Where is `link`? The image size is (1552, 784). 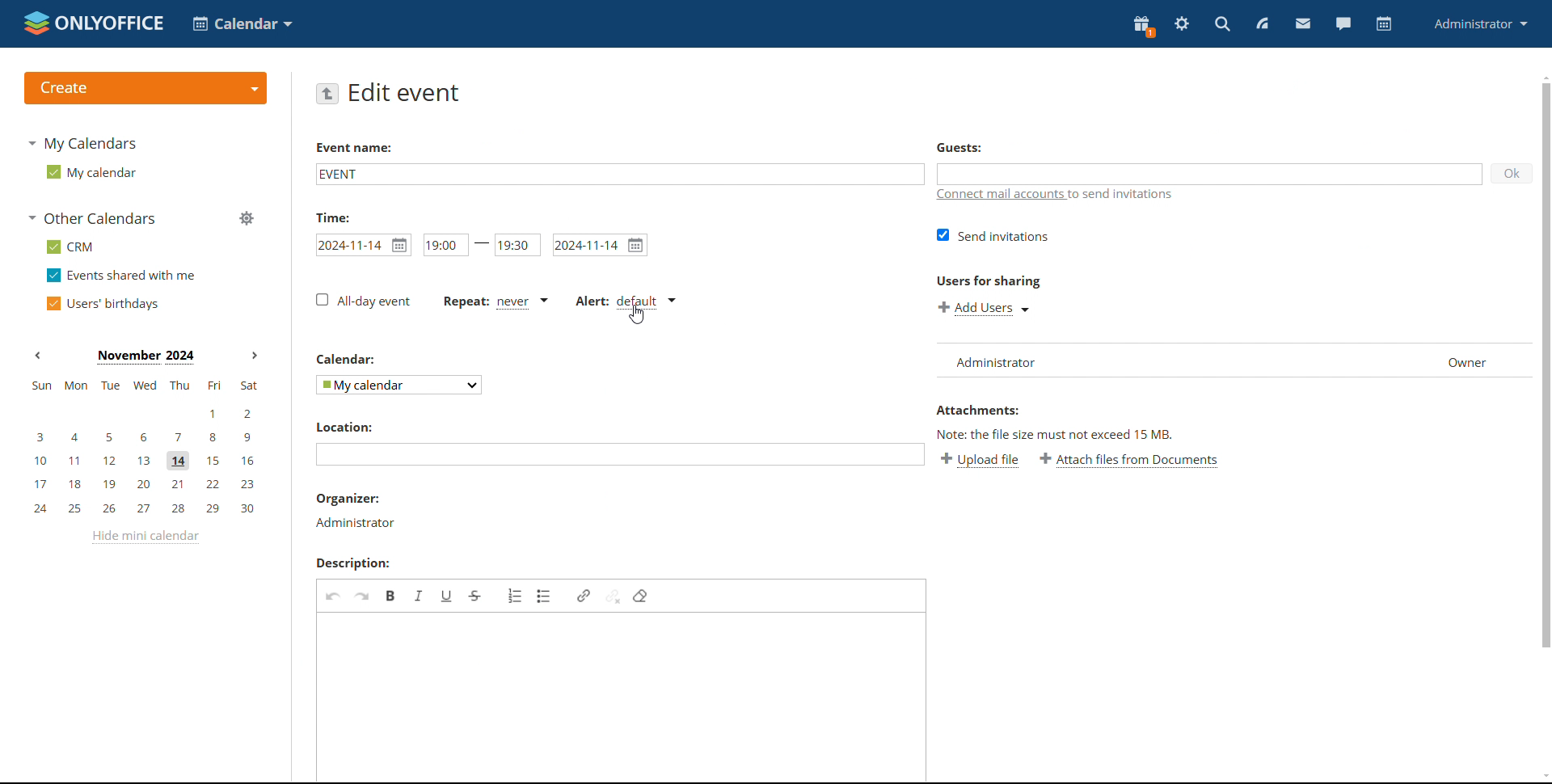
link is located at coordinates (583, 596).